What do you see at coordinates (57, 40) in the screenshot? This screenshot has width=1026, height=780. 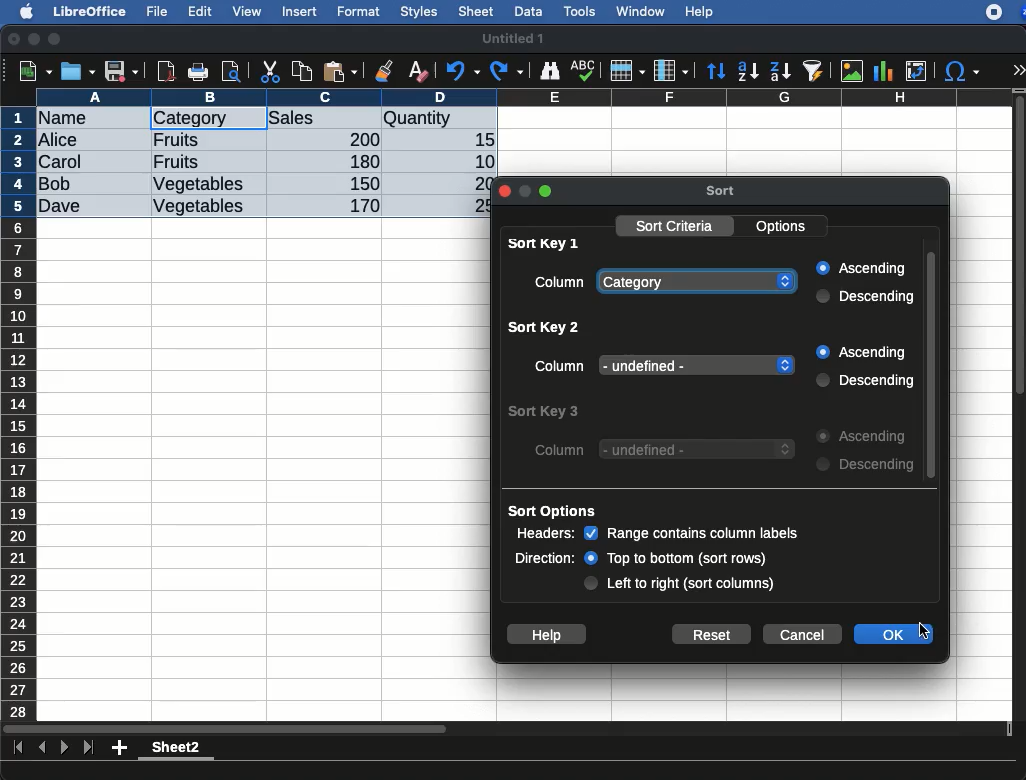 I see `maximize` at bounding box center [57, 40].